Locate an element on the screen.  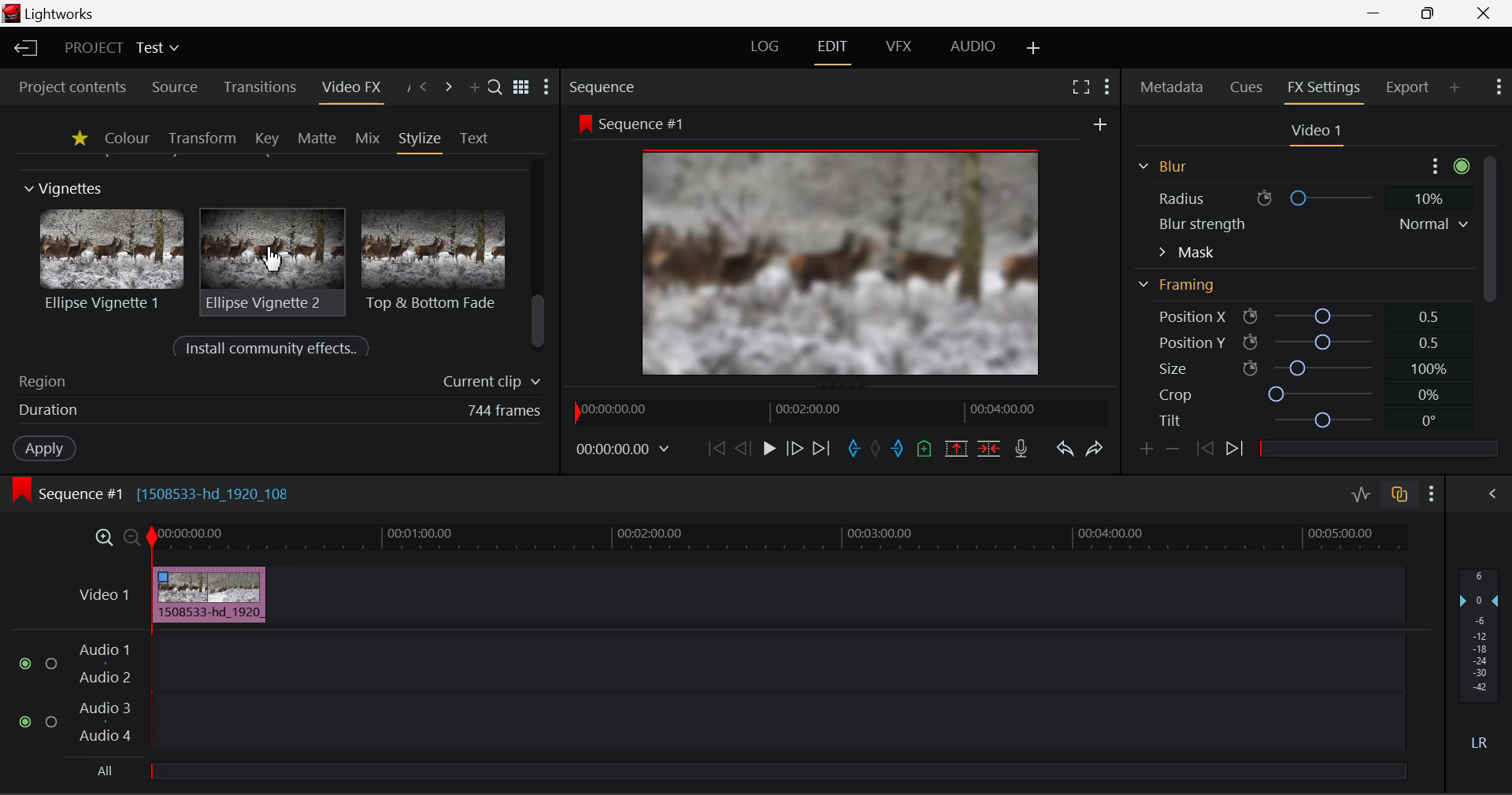
Show Settings is located at coordinates (1432, 491).